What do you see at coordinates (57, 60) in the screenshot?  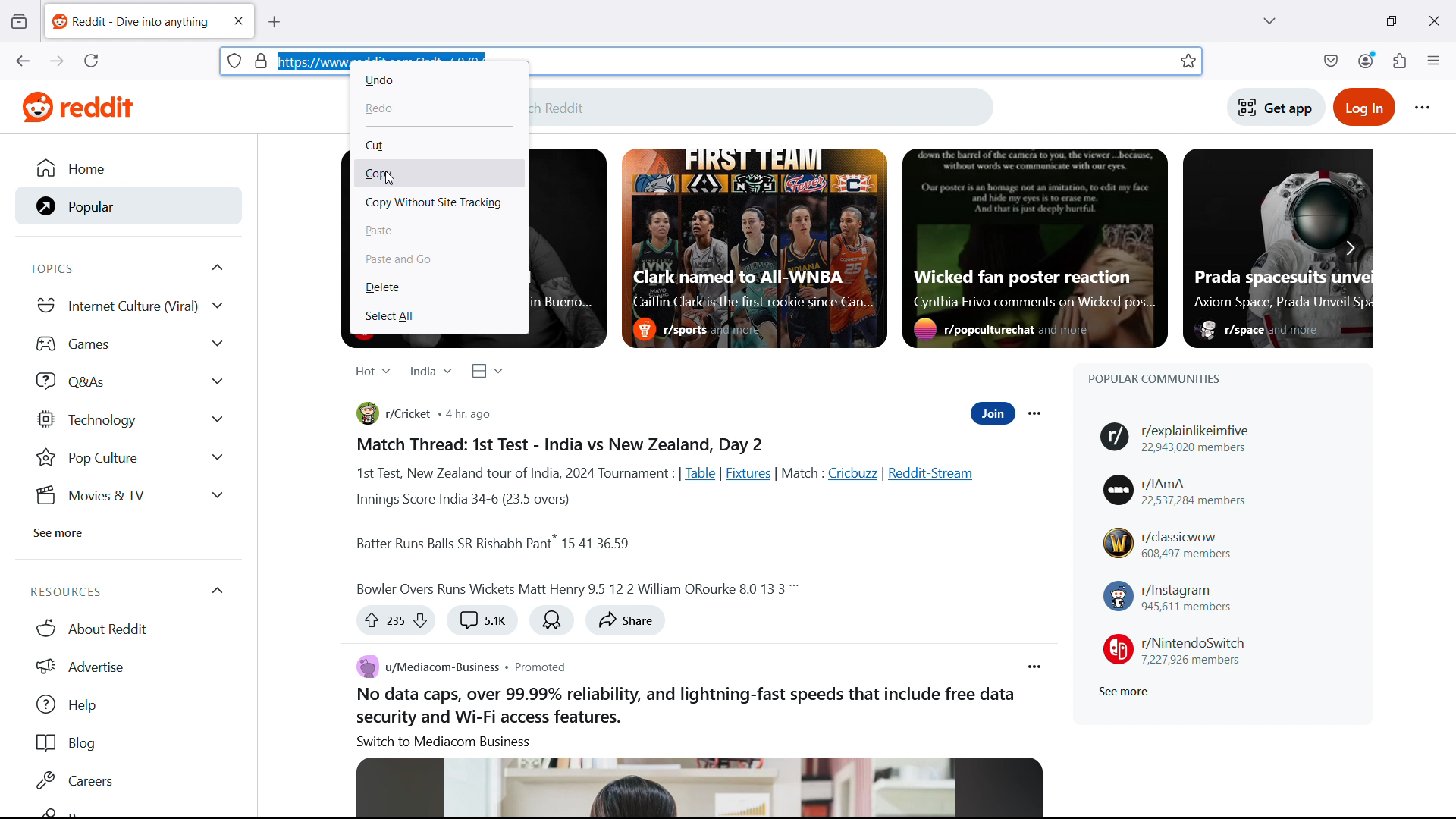 I see `go forward one page` at bounding box center [57, 60].